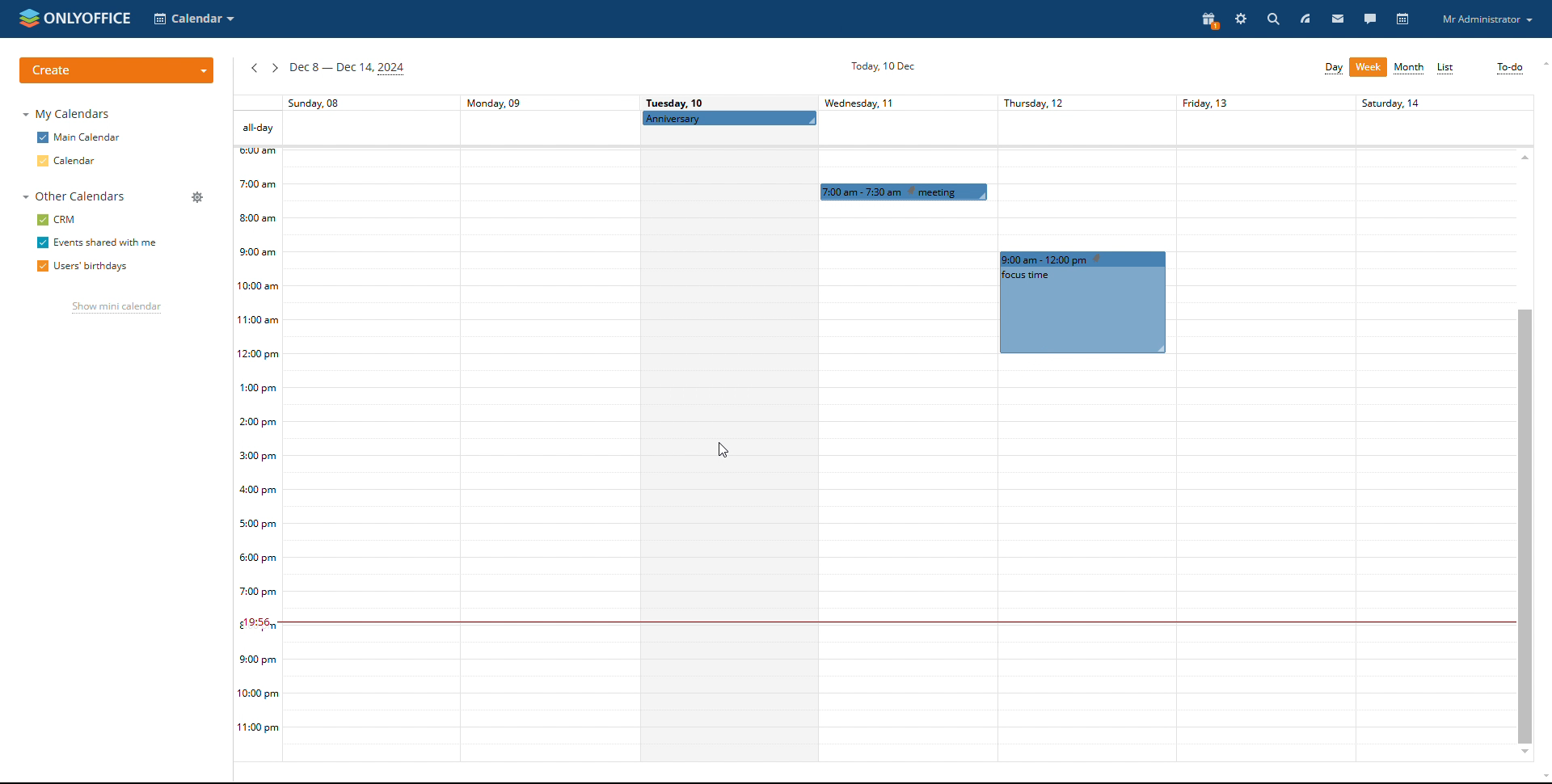  I want to click on scrollbar, so click(1525, 525).